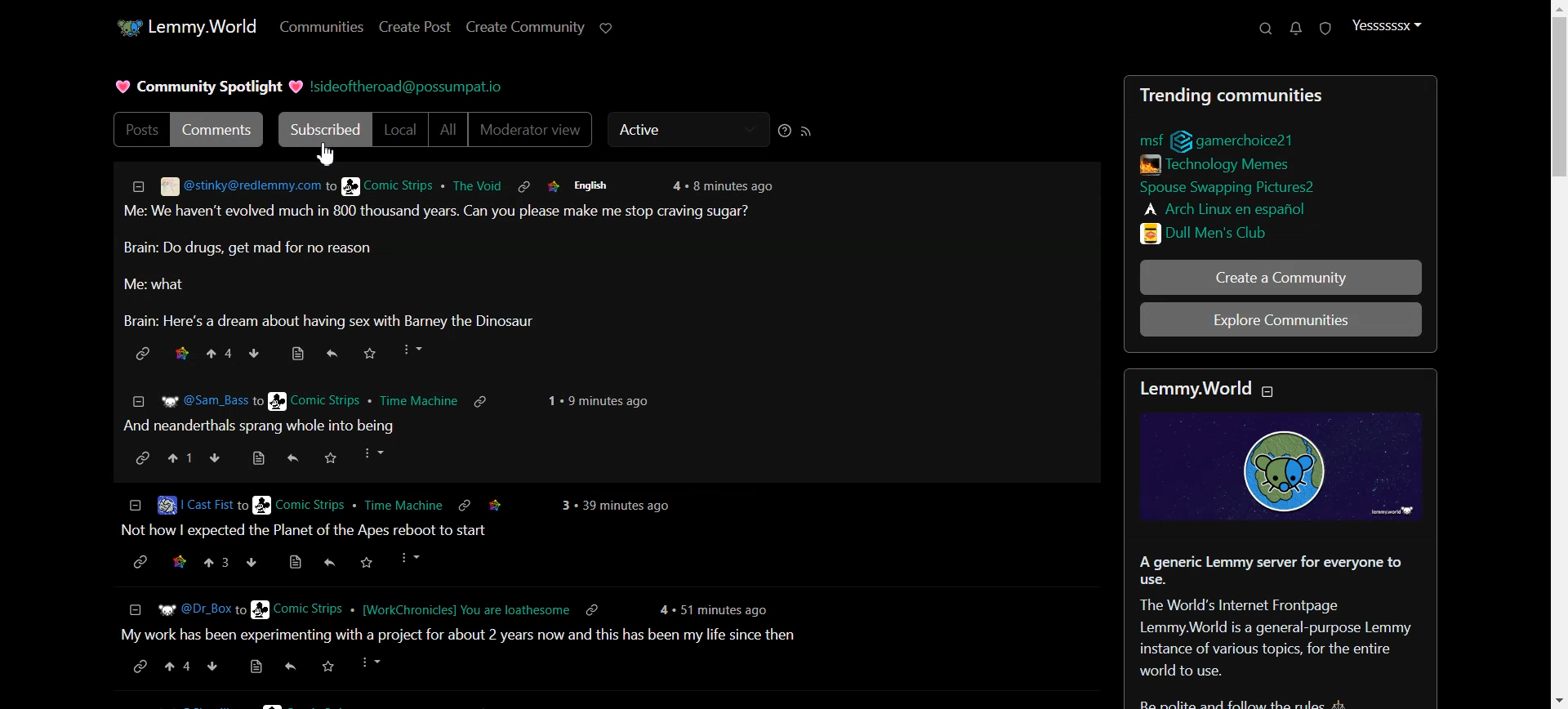 The image size is (1568, 709). I want to click on Text, so click(1282, 630).